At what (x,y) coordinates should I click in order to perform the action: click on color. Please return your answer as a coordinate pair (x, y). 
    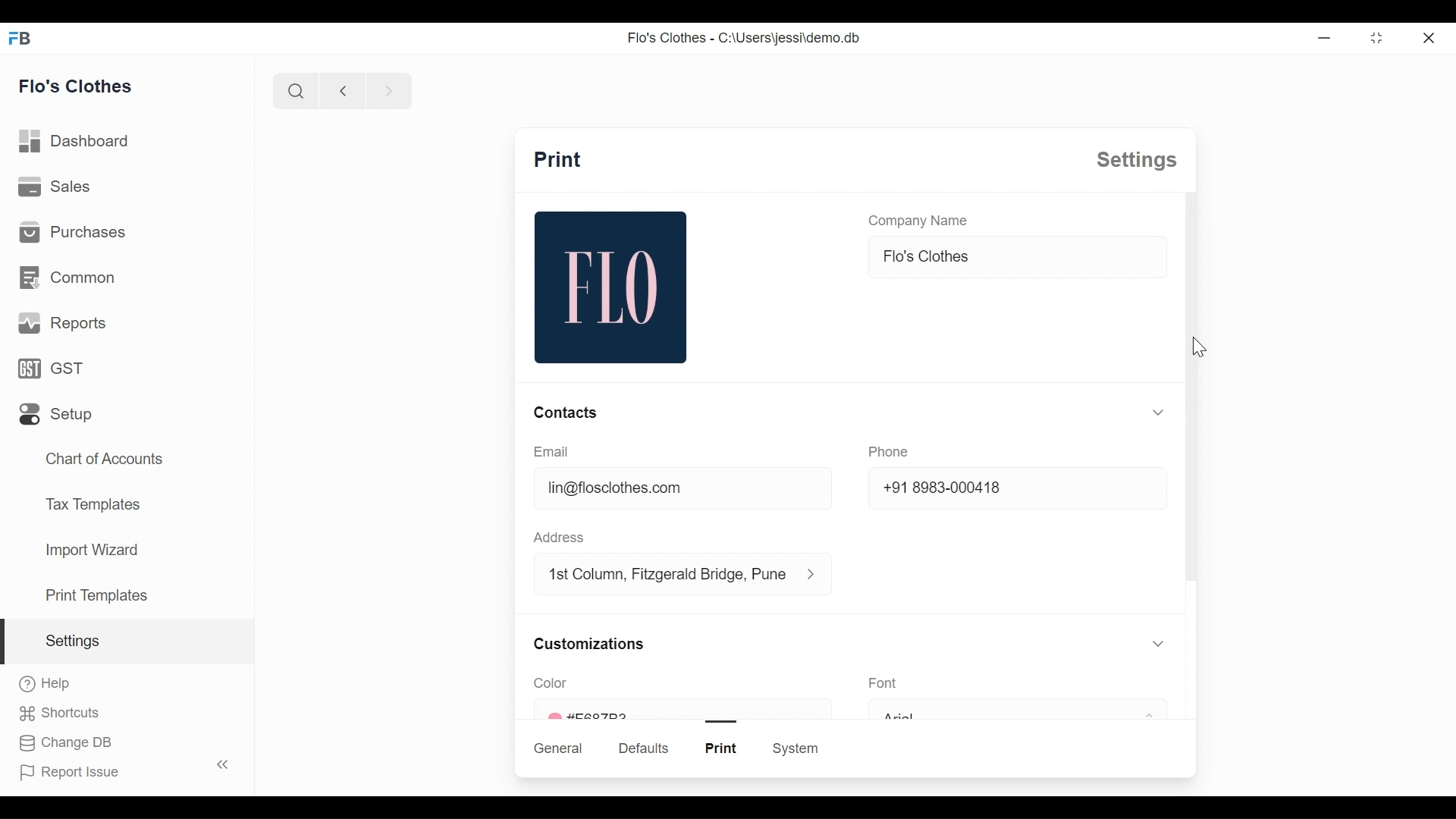
    Looking at the image, I should click on (551, 683).